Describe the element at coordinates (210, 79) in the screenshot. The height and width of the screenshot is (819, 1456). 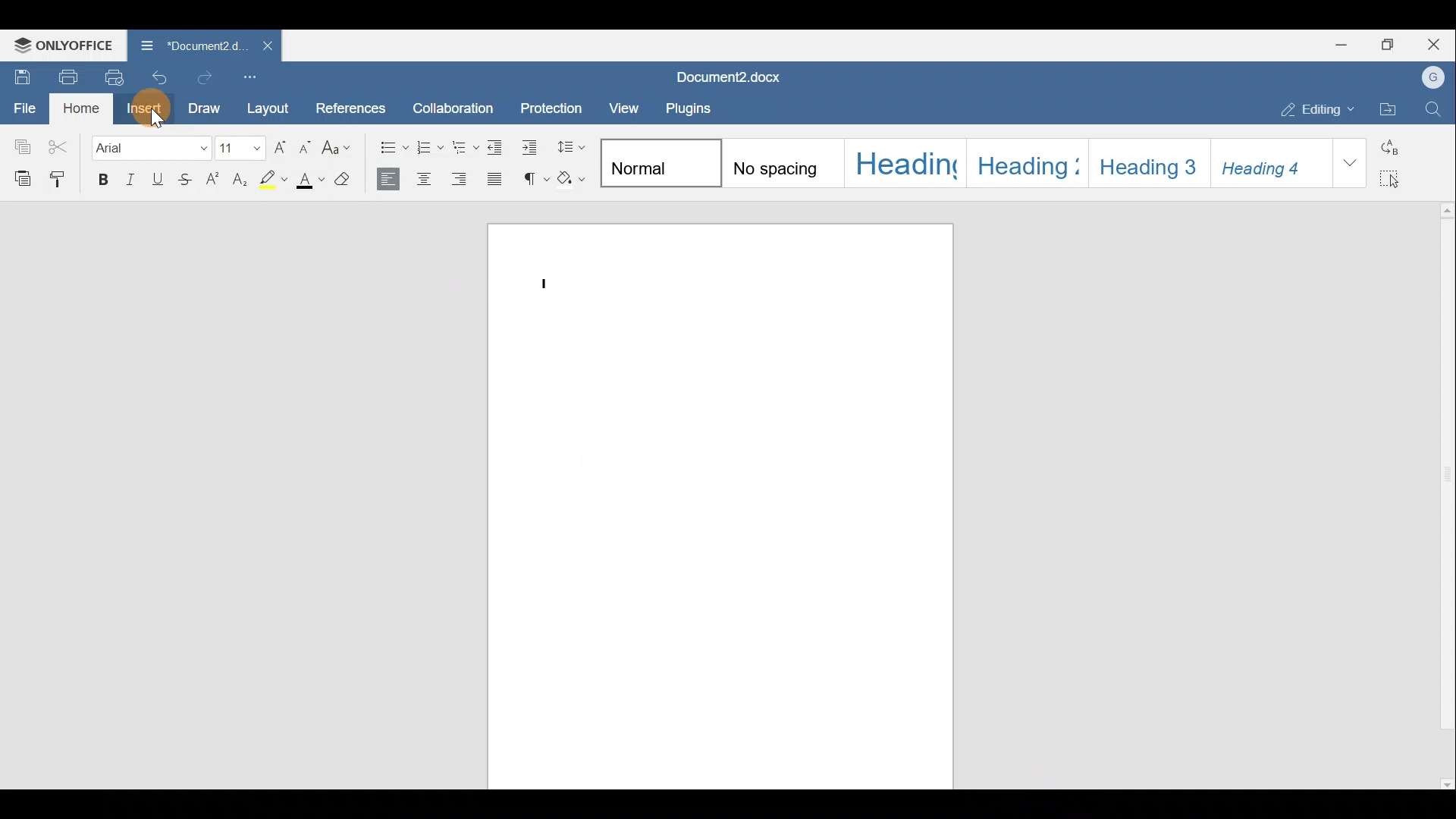
I see `Redo` at that location.